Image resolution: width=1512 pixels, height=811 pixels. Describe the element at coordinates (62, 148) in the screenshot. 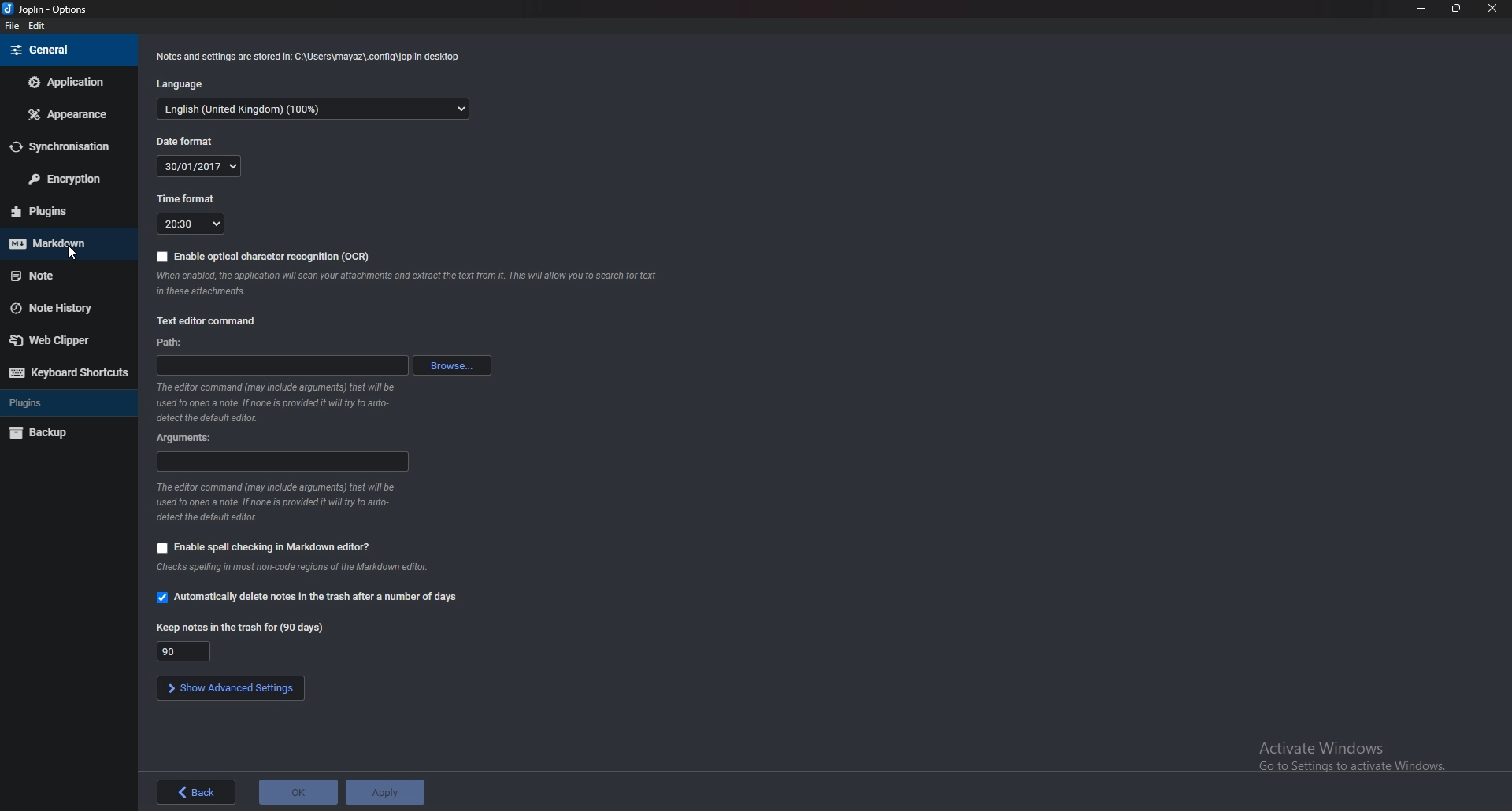

I see `Synchronization` at that location.